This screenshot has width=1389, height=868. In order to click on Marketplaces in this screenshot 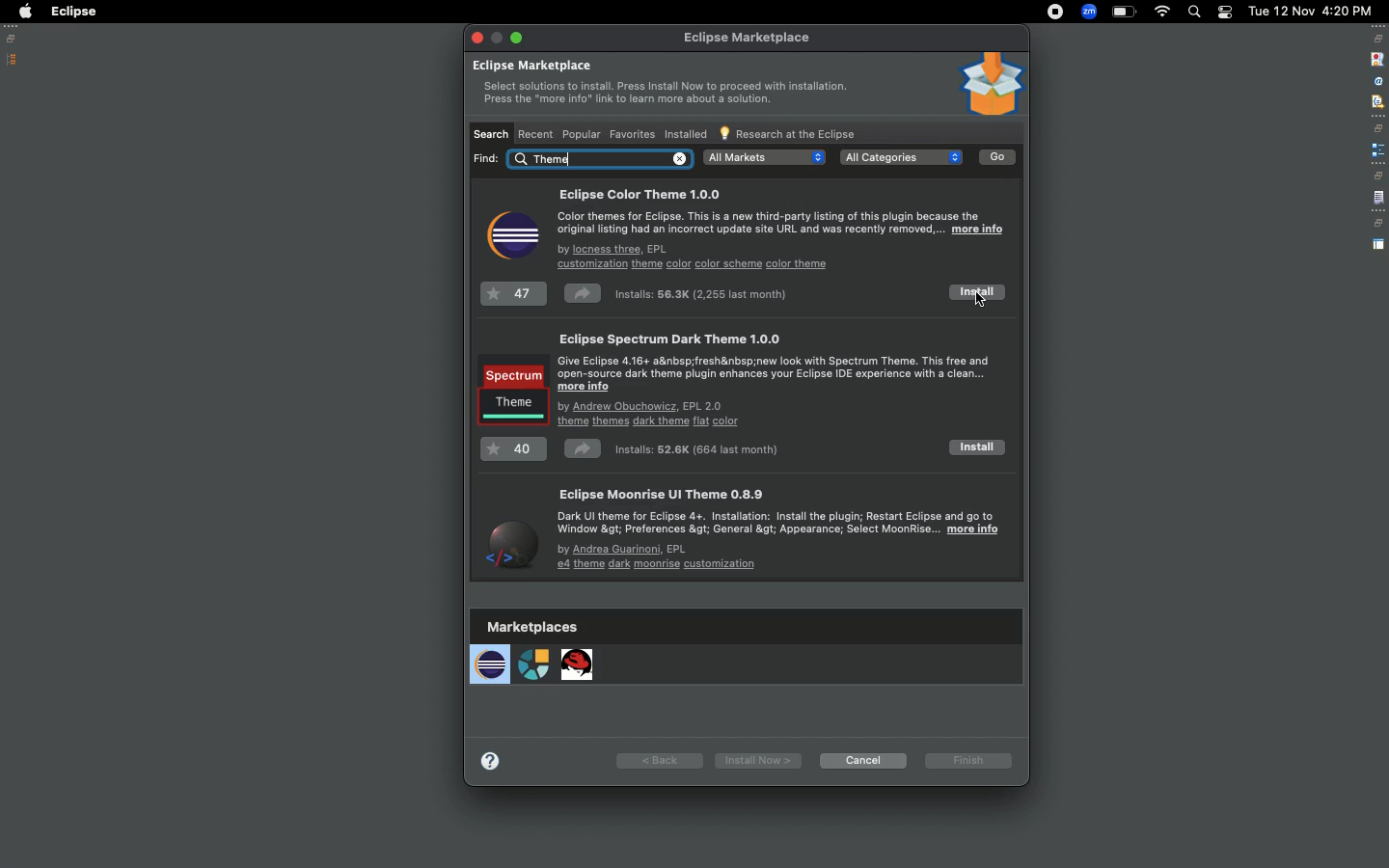, I will do `click(534, 652)`.